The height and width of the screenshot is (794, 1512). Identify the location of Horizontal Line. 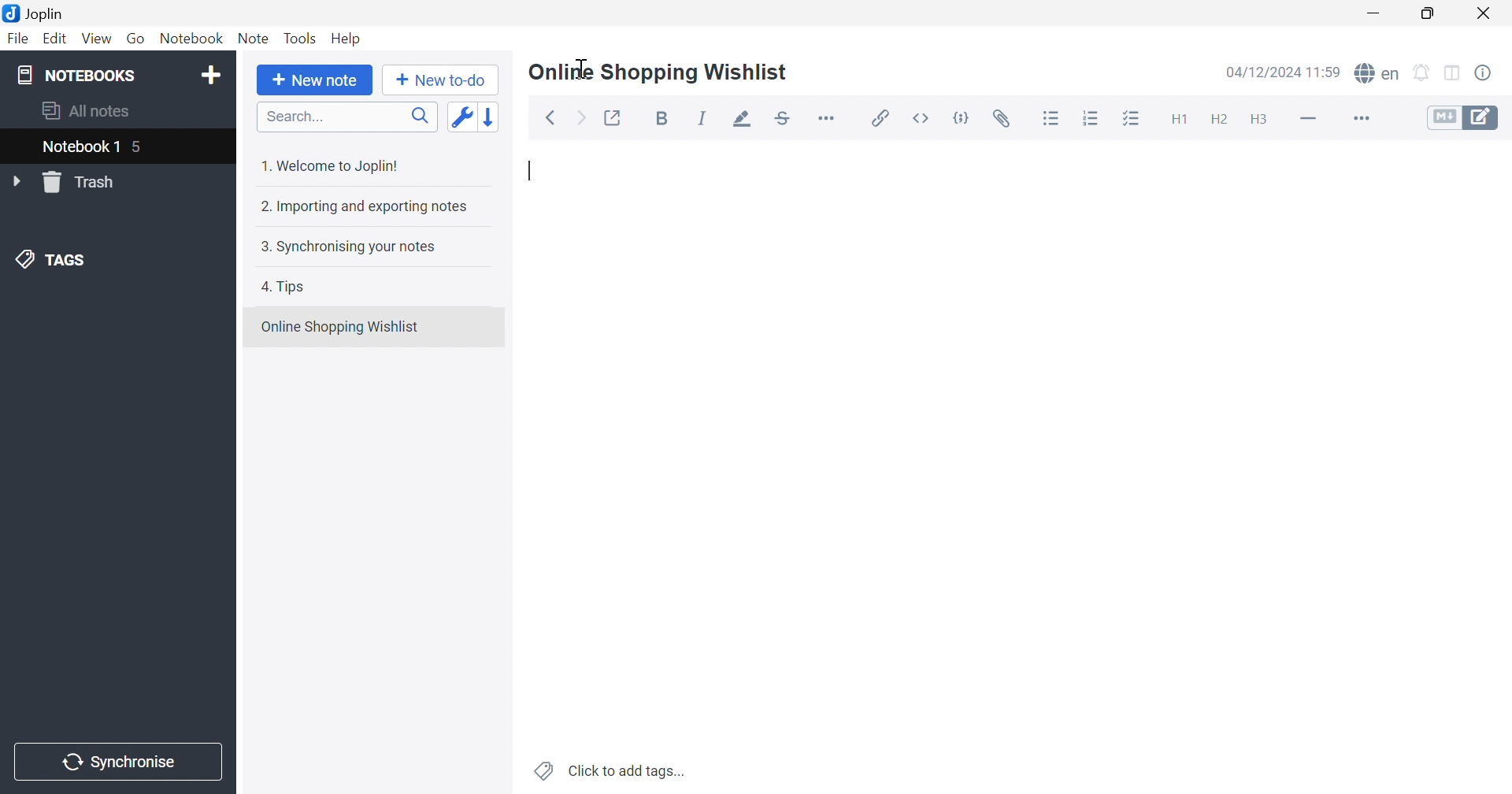
(1307, 120).